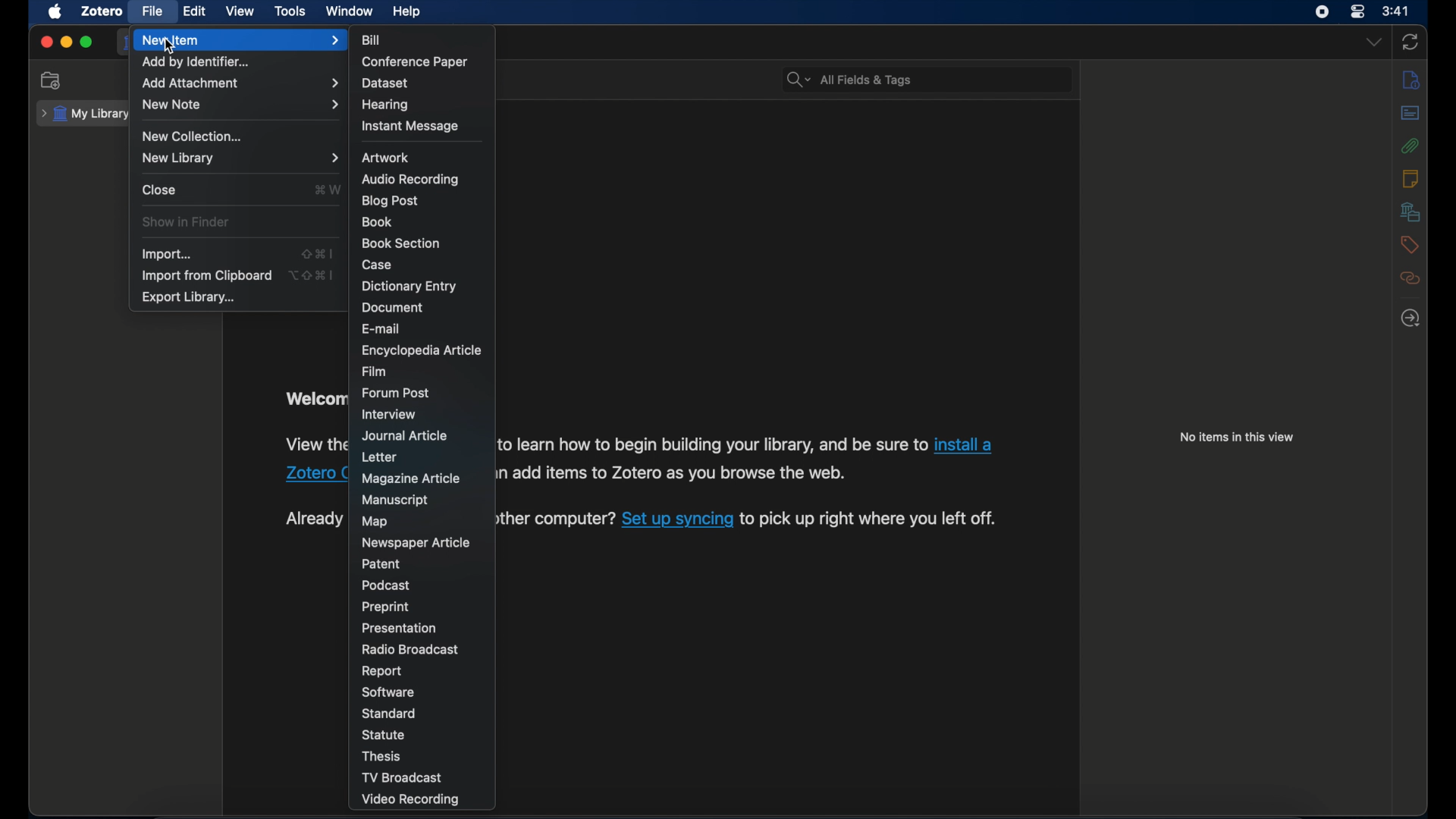 This screenshot has height=819, width=1456. Describe the element at coordinates (708, 444) in the screenshot. I see `text` at that location.